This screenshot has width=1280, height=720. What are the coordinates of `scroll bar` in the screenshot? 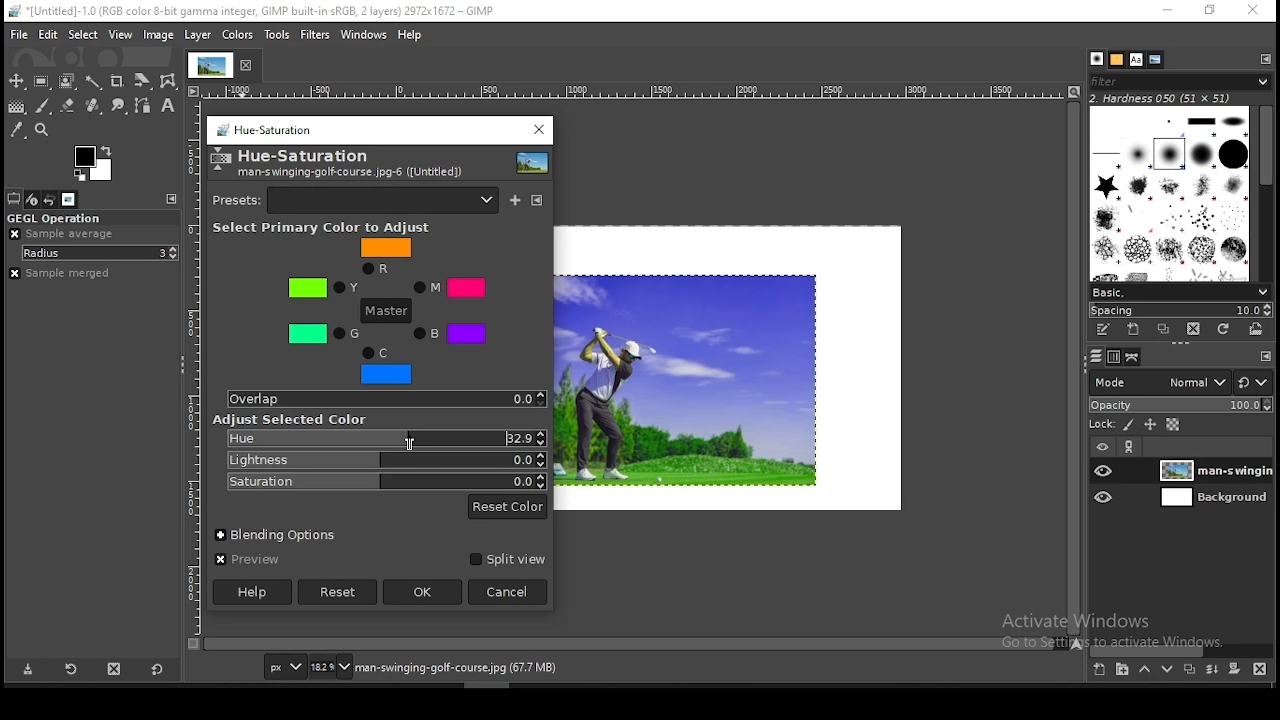 It's located at (1073, 369).